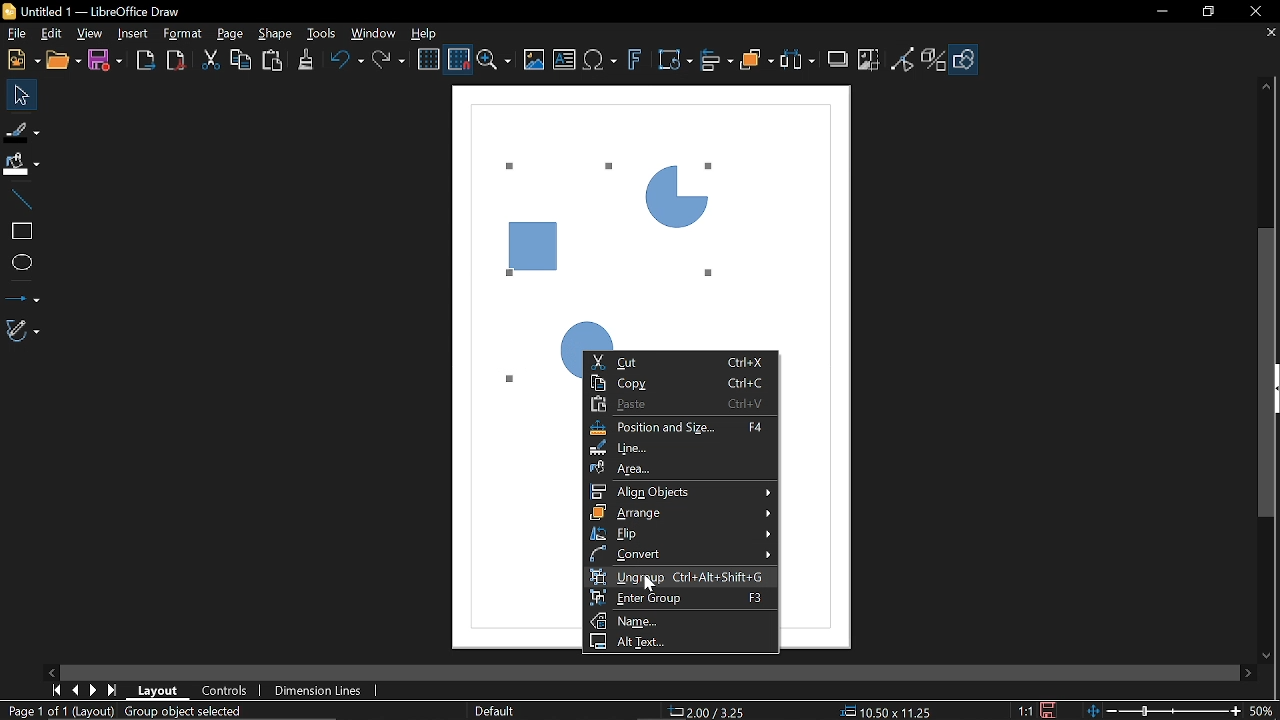 The width and height of the screenshot is (1280, 720). What do you see at coordinates (493, 711) in the screenshot?
I see `Slide master name` at bounding box center [493, 711].